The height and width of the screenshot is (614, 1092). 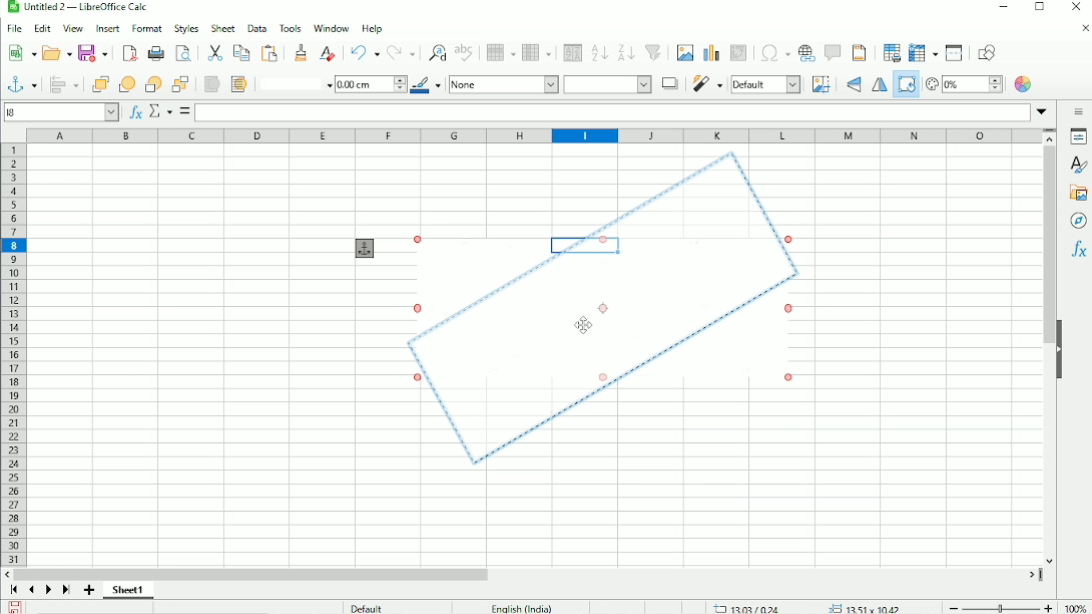 I want to click on Default, so click(x=367, y=607).